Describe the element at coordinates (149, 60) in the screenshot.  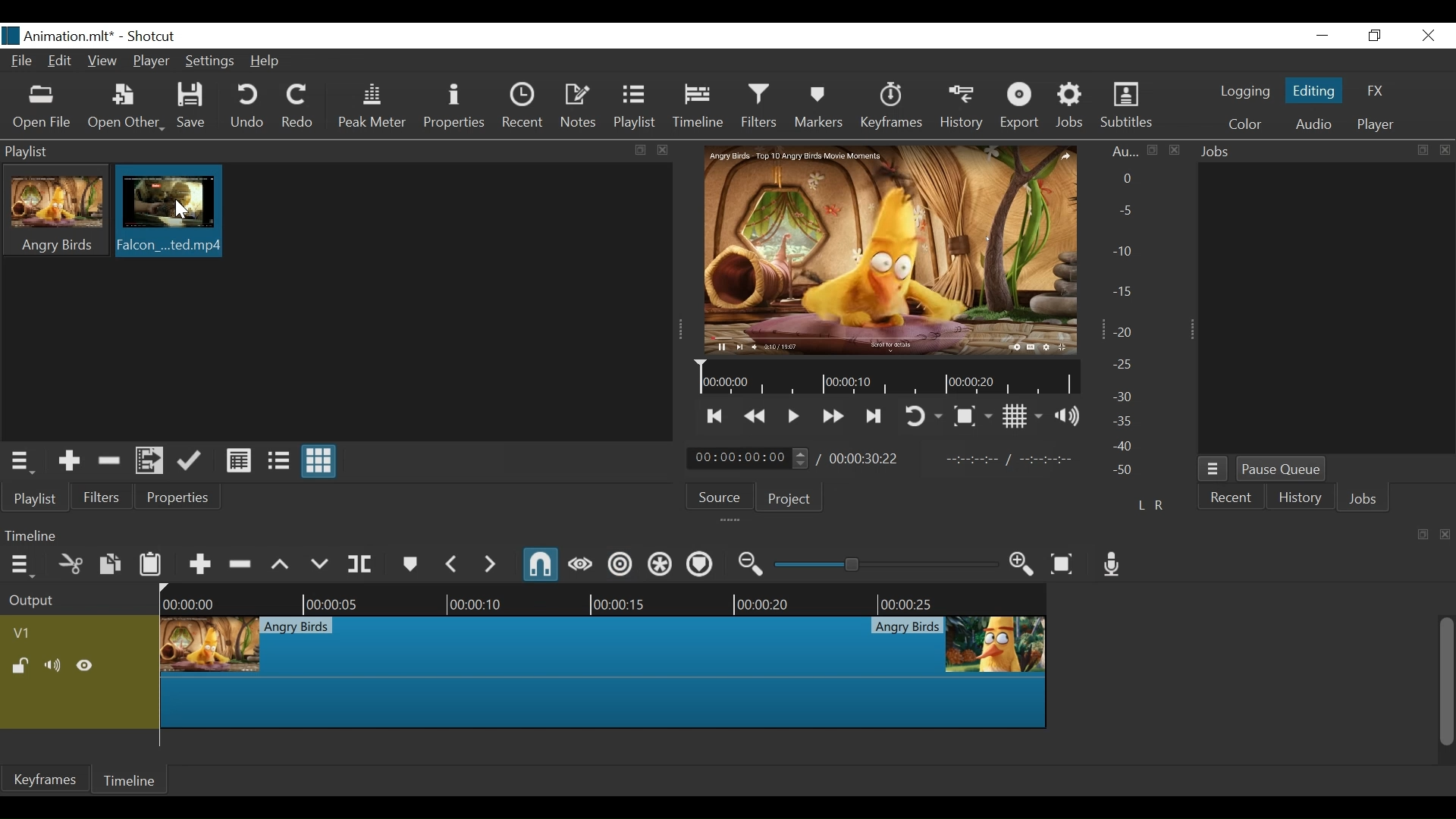
I see `Player` at that location.